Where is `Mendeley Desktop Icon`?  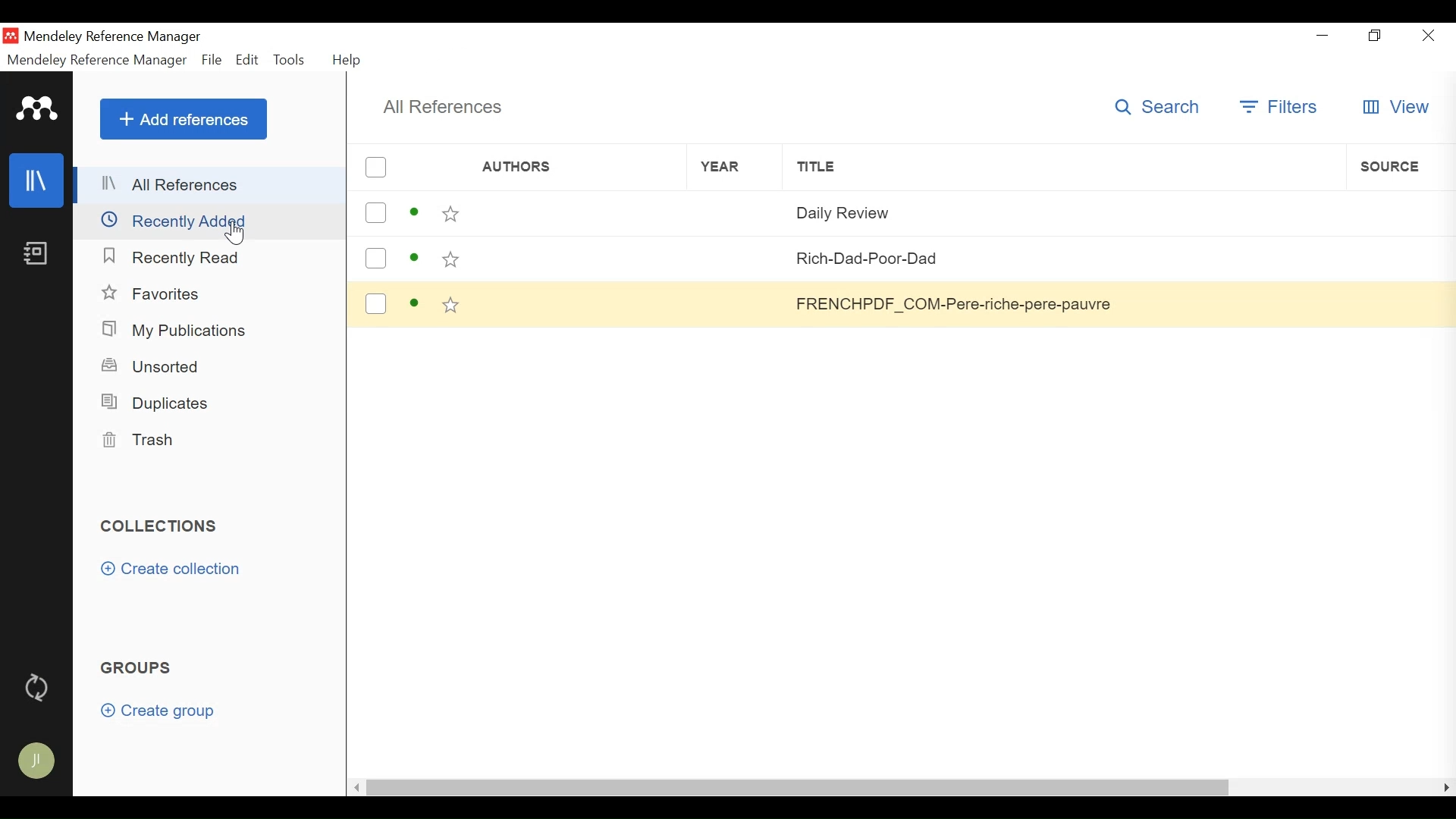 Mendeley Desktop Icon is located at coordinates (11, 36).